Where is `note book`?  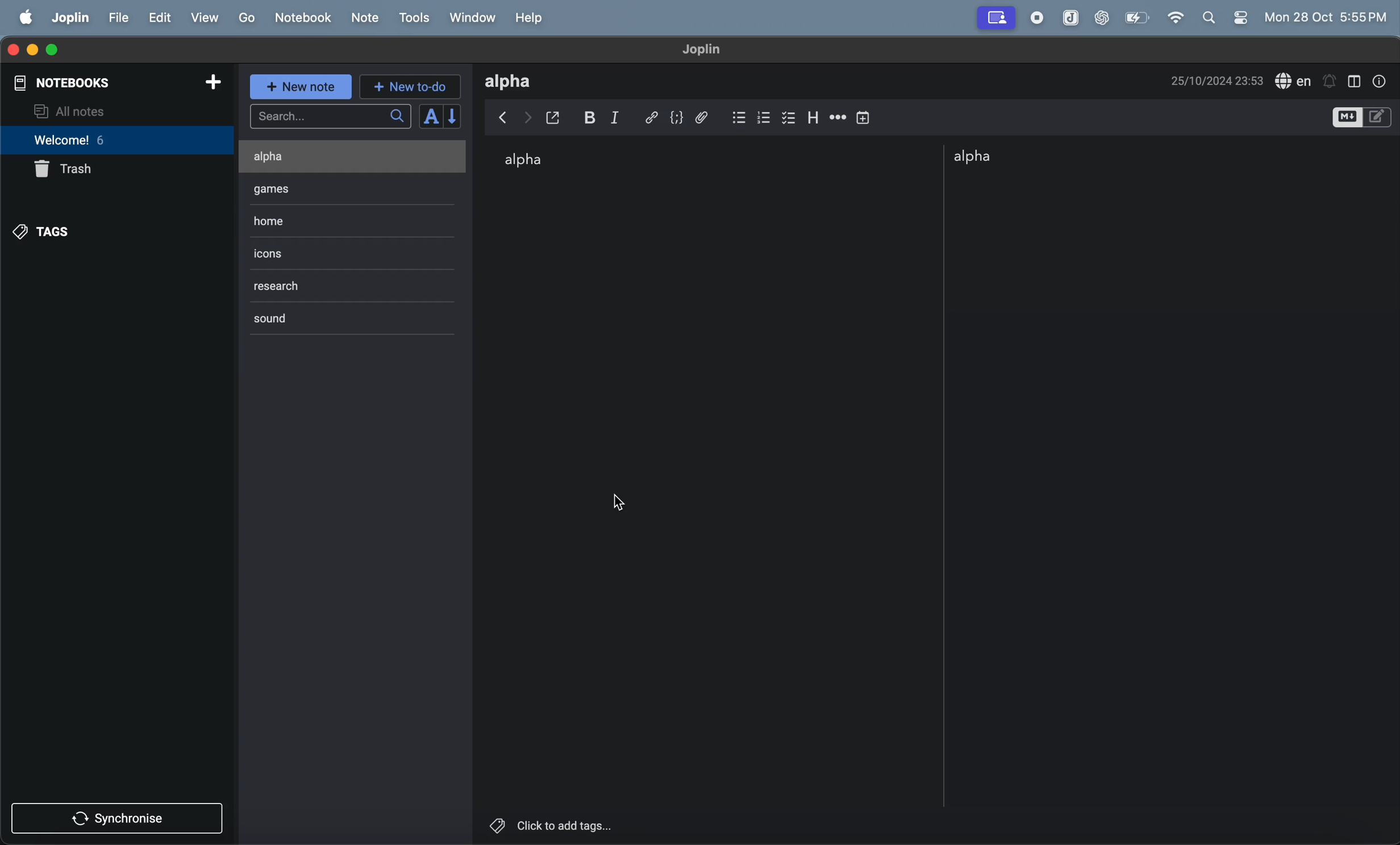 note book is located at coordinates (302, 17).